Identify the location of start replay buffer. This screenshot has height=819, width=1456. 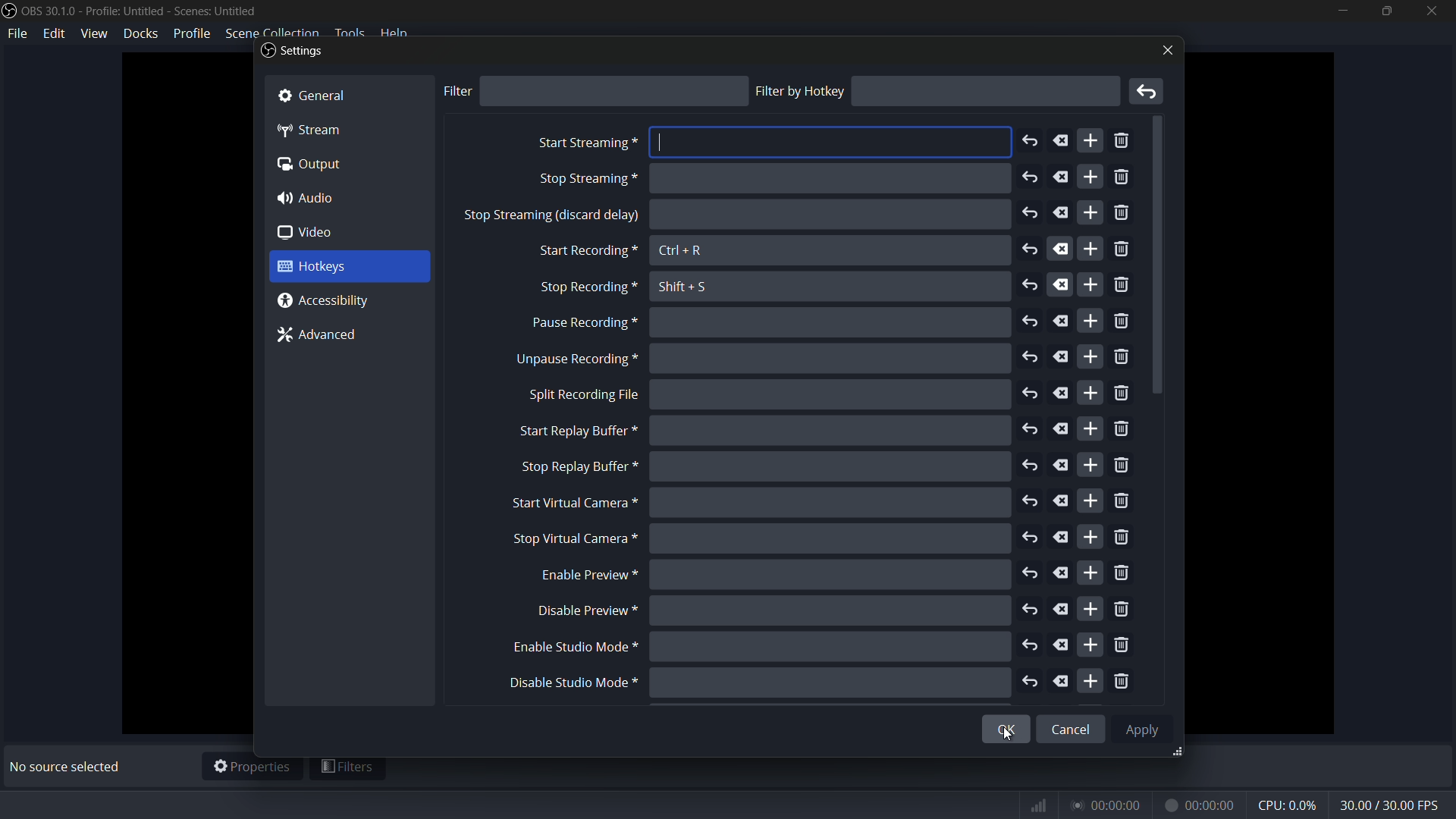
(571, 431).